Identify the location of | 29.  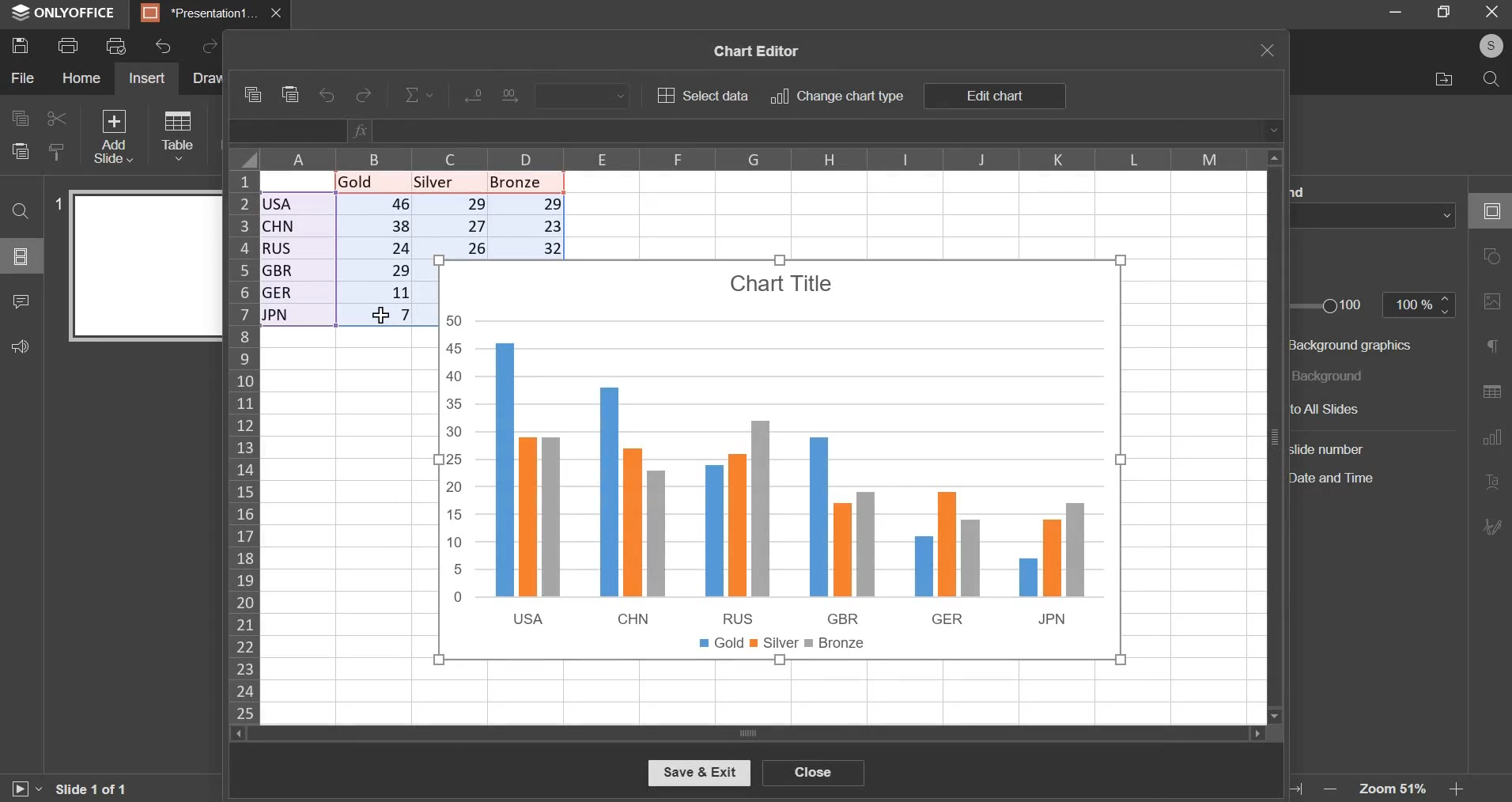
(376, 270).